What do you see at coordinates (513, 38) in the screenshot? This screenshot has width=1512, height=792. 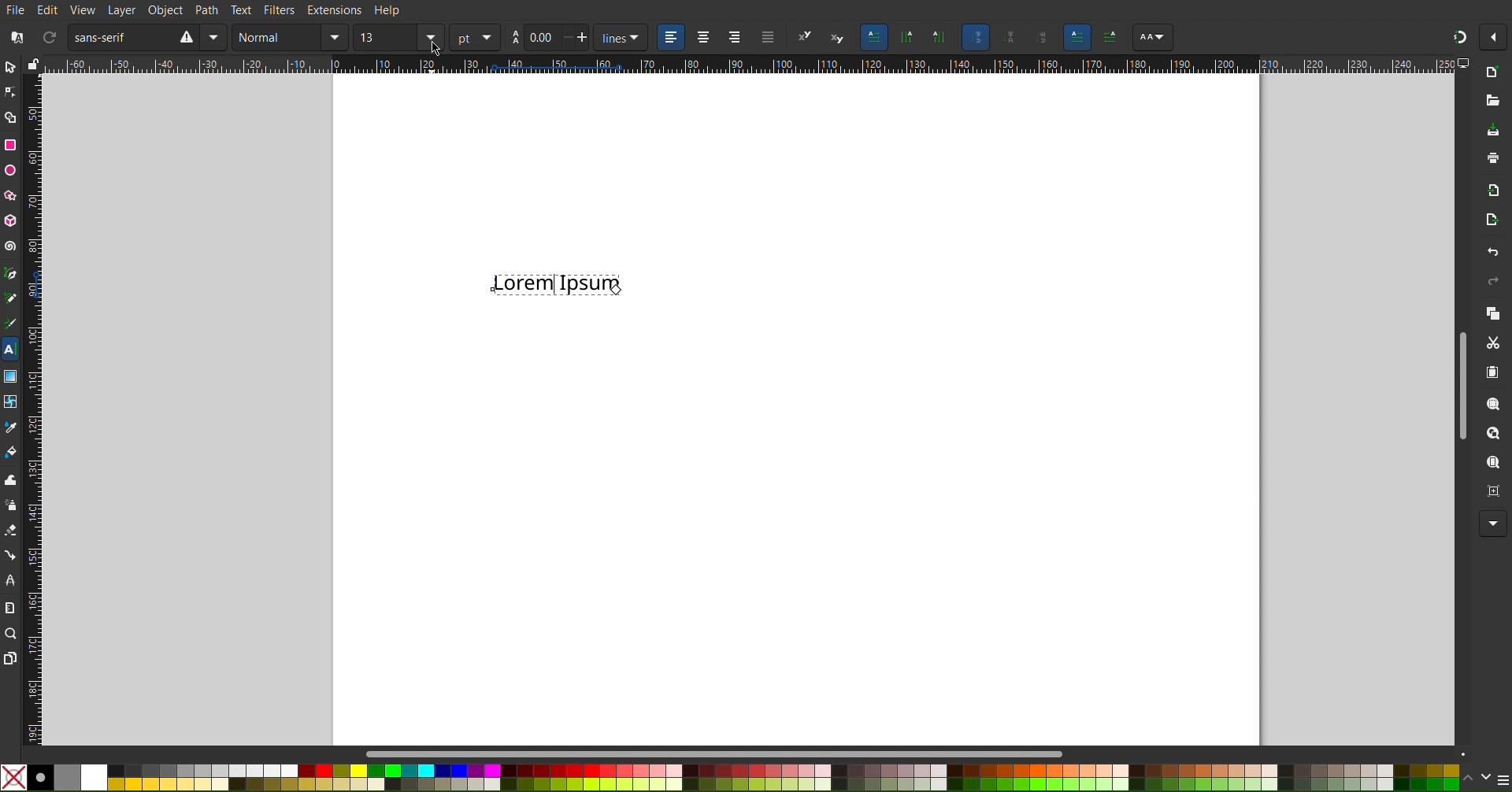 I see `aa` at bounding box center [513, 38].